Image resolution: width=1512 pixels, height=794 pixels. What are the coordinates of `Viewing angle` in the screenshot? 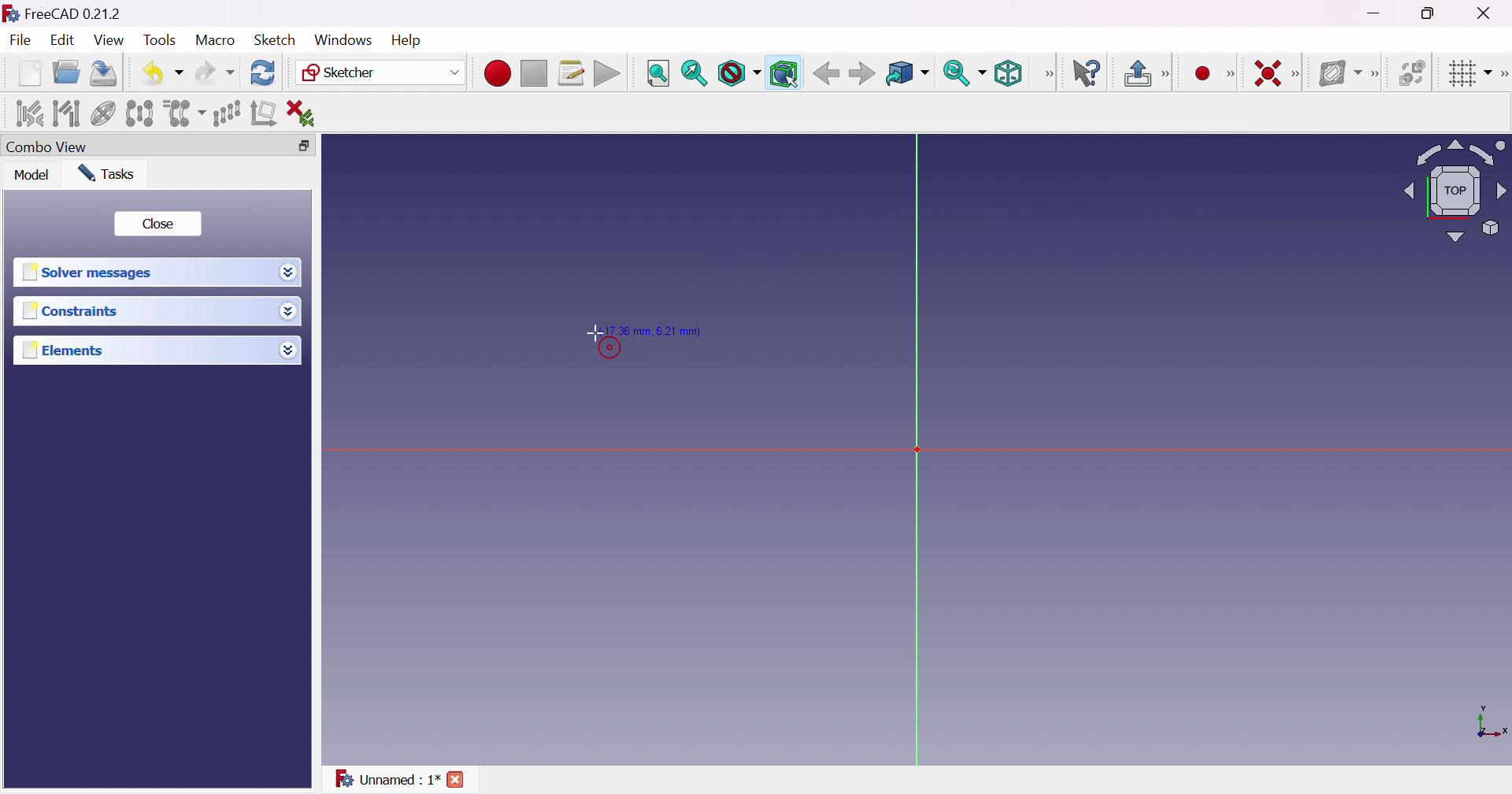 It's located at (1455, 190).